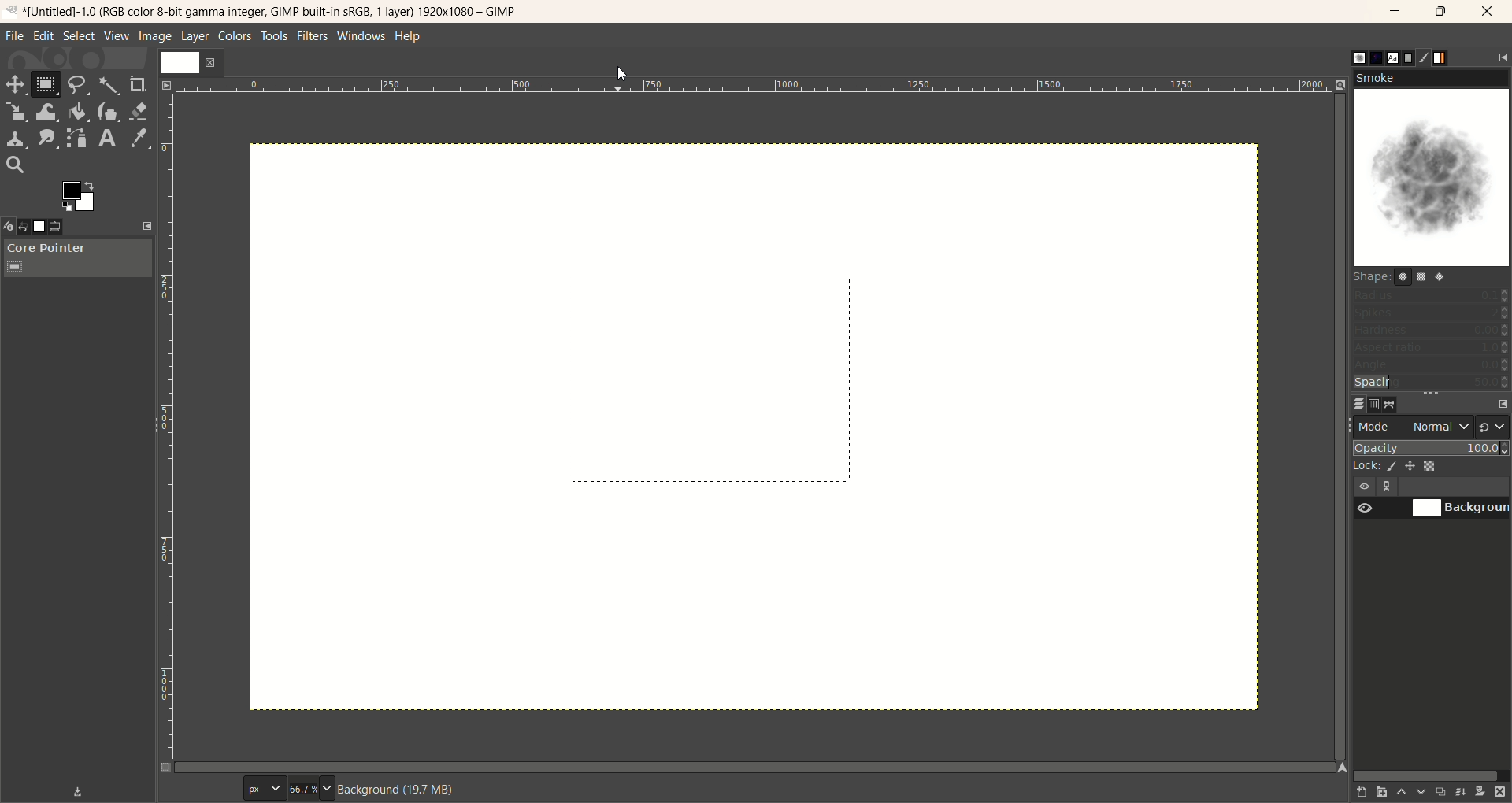 This screenshot has height=803, width=1512. I want to click on scale tool, so click(17, 113).